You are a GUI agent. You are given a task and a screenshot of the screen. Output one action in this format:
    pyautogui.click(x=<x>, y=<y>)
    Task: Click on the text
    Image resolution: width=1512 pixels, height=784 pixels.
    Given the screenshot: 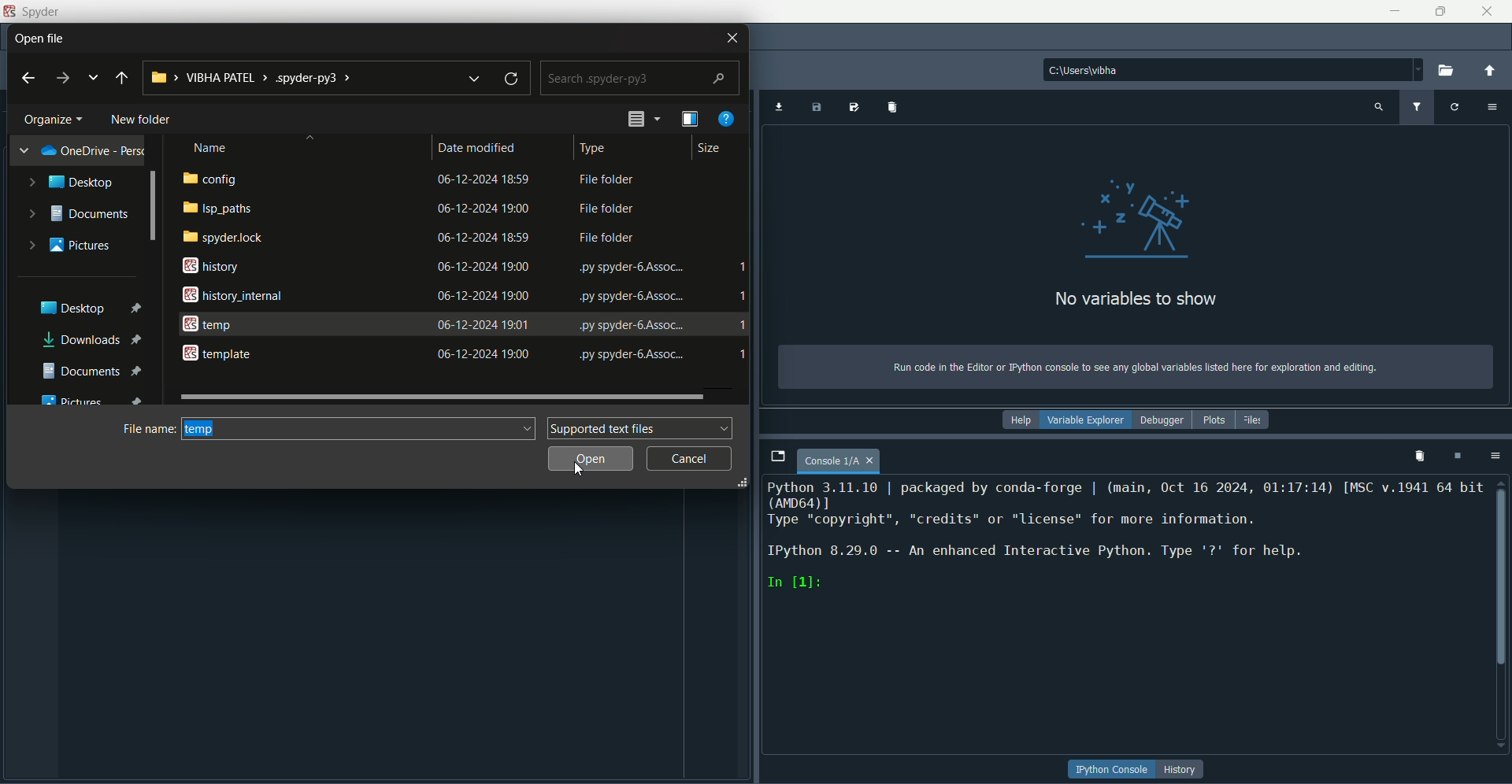 What is the action you would take?
    pyautogui.click(x=606, y=240)
    